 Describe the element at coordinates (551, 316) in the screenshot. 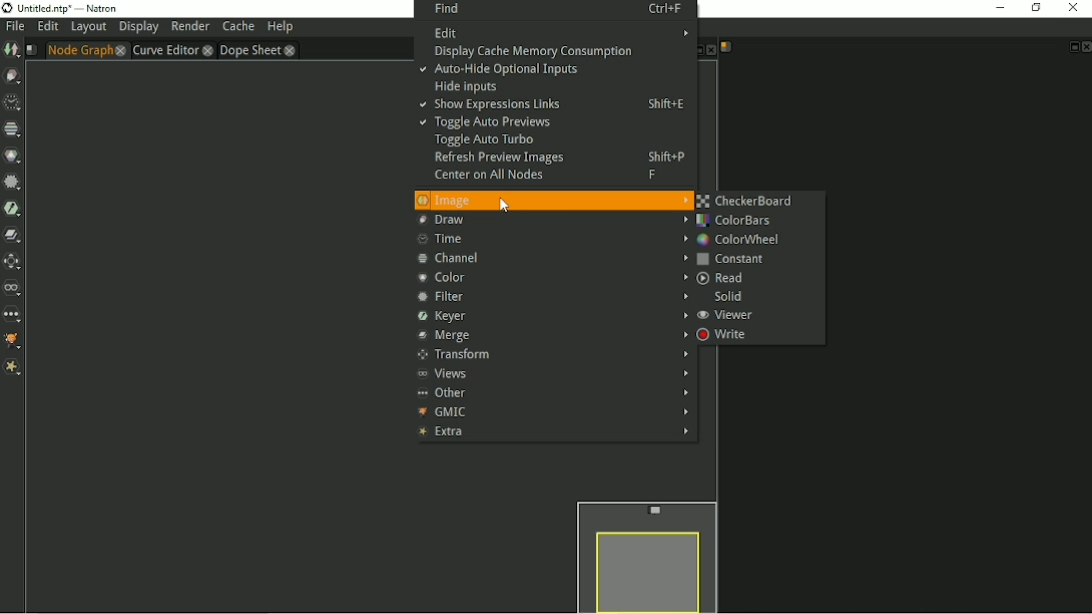

I see `Keyer` at that location.